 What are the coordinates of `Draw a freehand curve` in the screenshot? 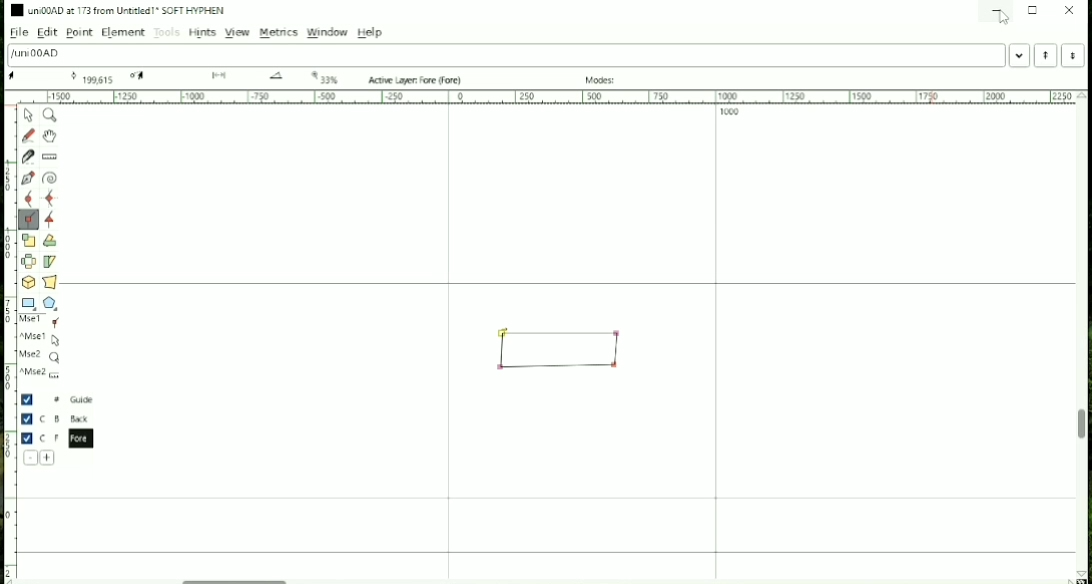 It's located at (28, 135).